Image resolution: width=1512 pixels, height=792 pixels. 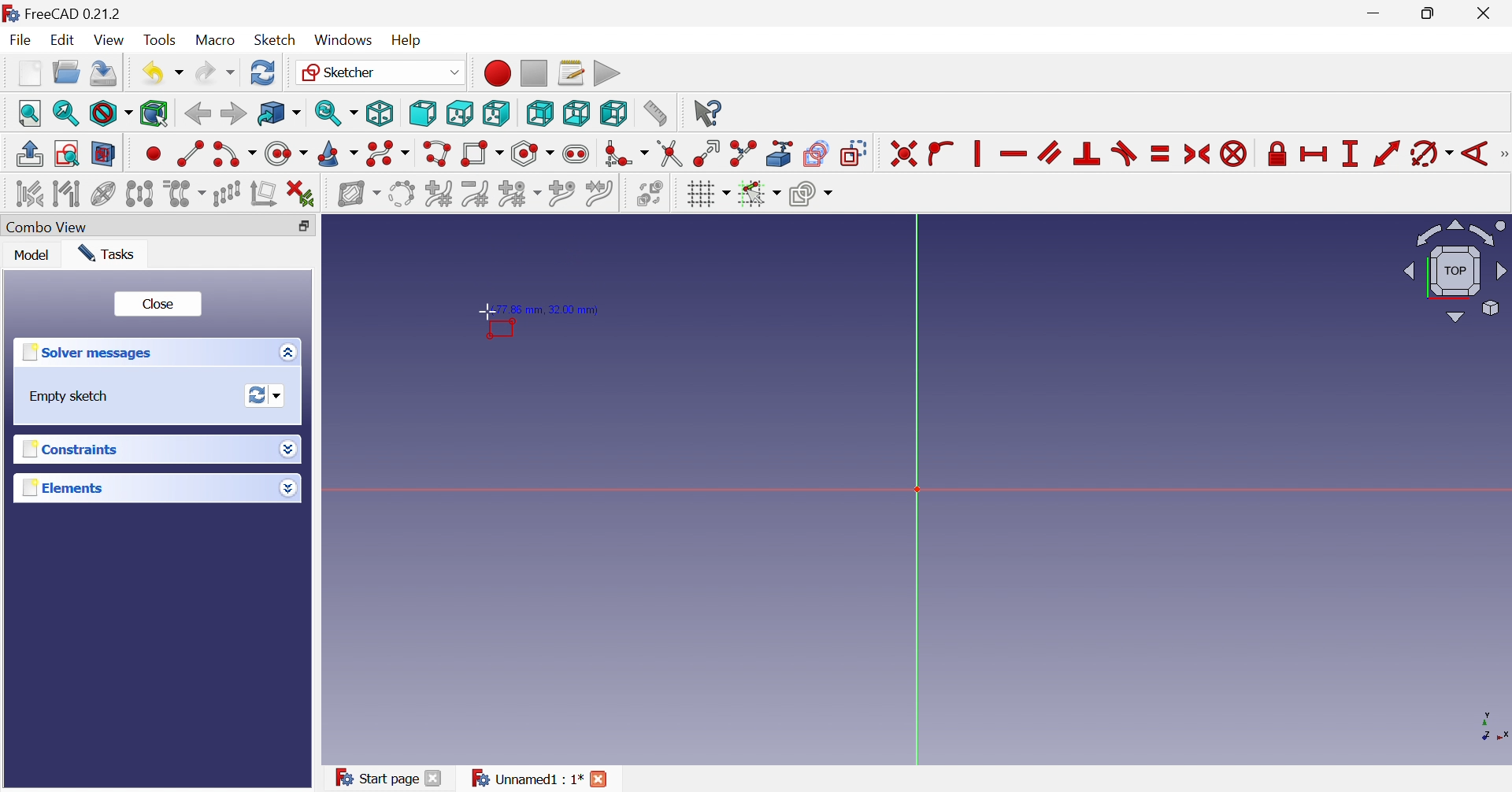 What do you see at coordinates (1314, 154) in the screenshot?
I see `Constrain horizontal distance` at bounding box center [1314, 154].